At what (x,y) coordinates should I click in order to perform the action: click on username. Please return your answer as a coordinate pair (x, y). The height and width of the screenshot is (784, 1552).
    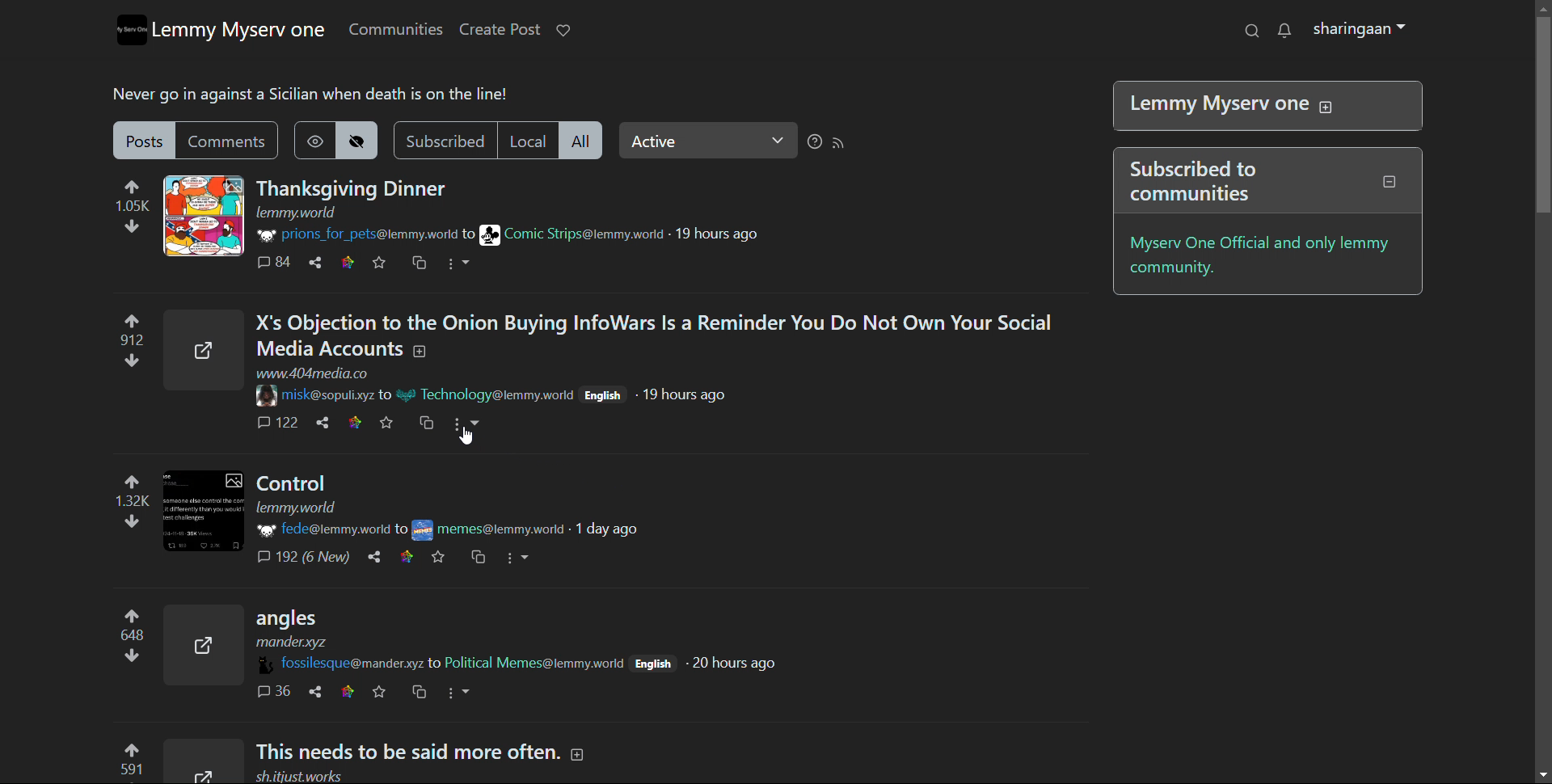
    Looking at the image, I should click on (359, 236).